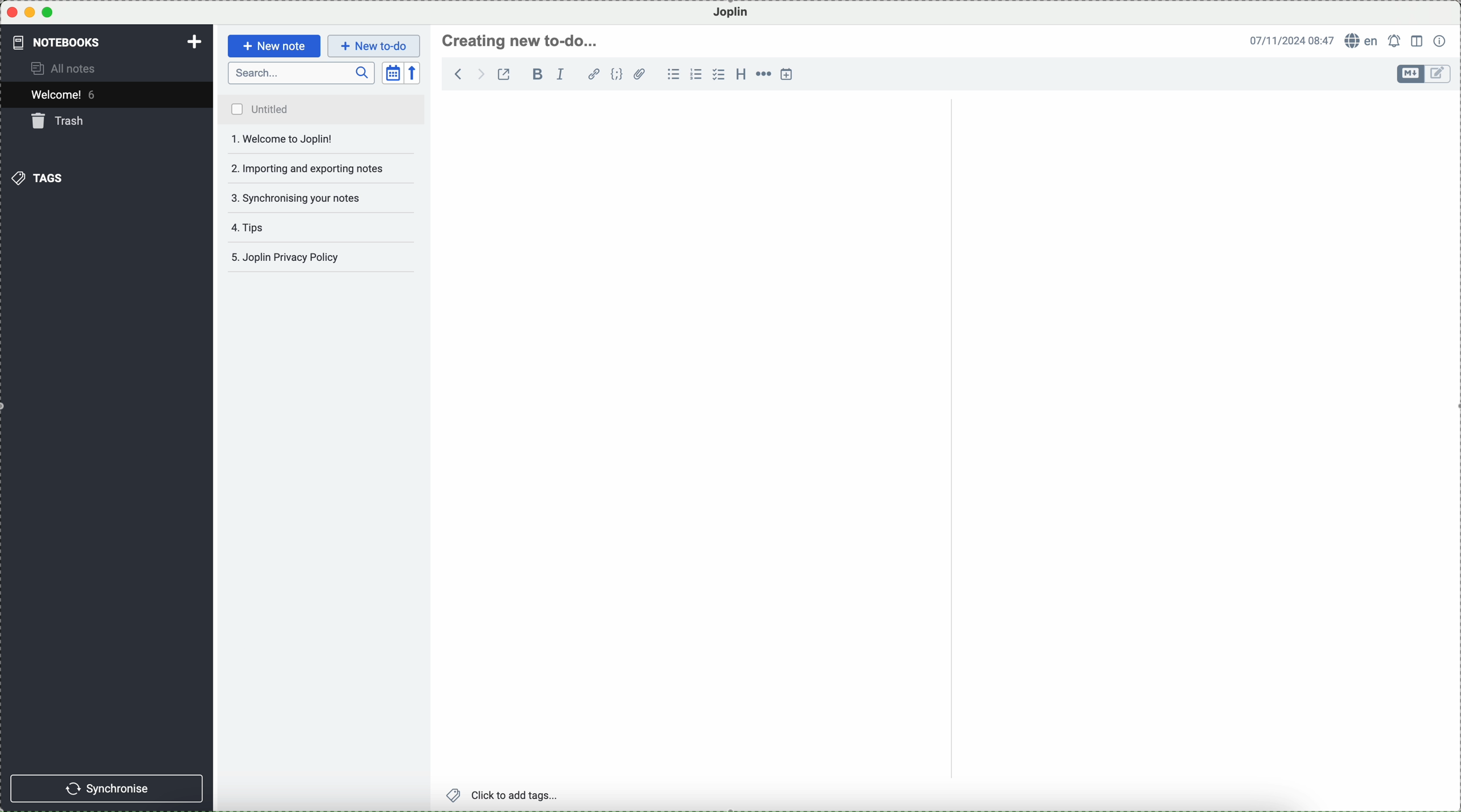 The image size is (1461, 812). Describe the element at coordinates (302, 73) in the screenshot. I see `search bar` at that location.